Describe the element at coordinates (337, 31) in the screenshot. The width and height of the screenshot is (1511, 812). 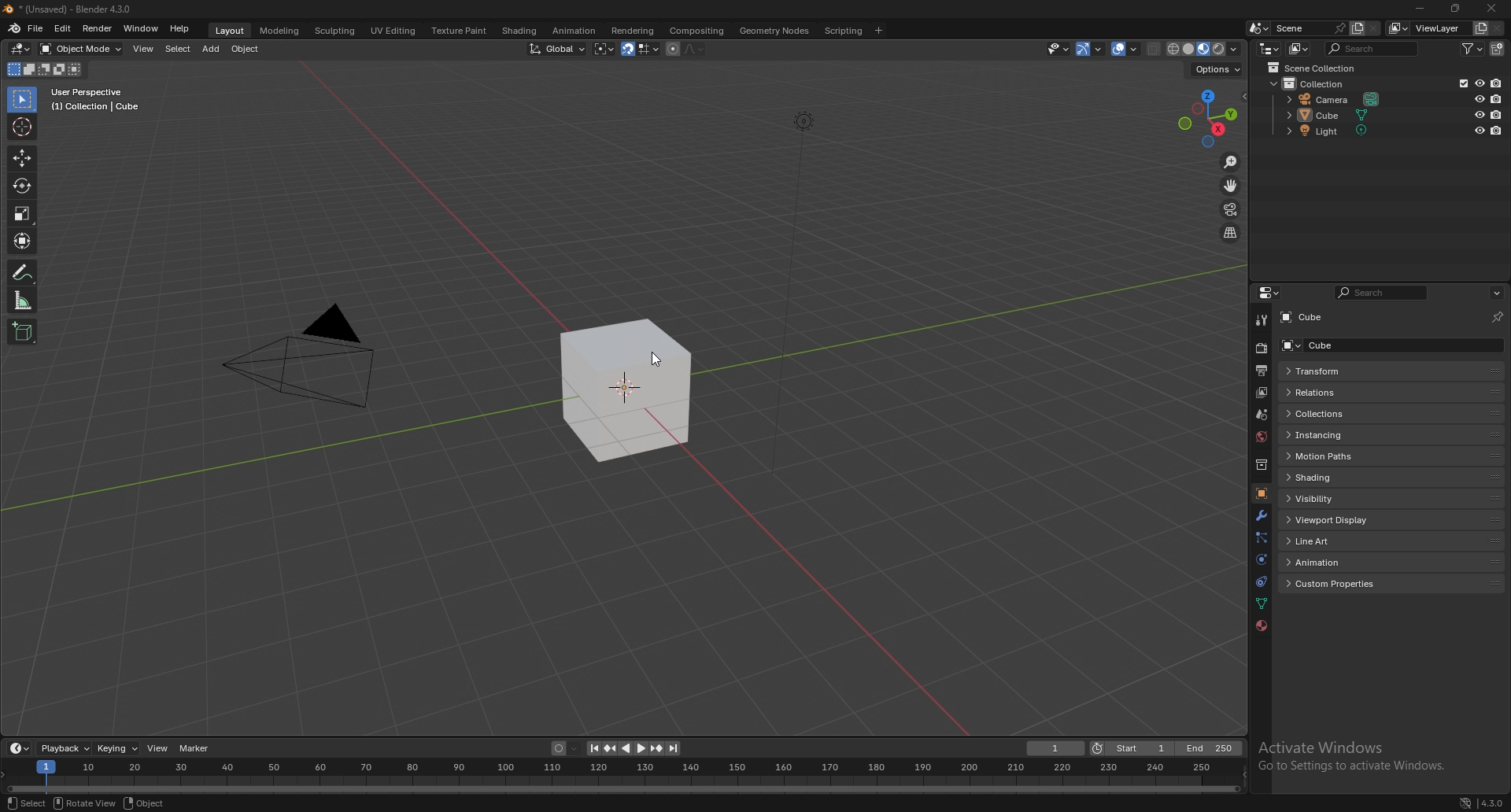
I see `scrulpting` at that location.